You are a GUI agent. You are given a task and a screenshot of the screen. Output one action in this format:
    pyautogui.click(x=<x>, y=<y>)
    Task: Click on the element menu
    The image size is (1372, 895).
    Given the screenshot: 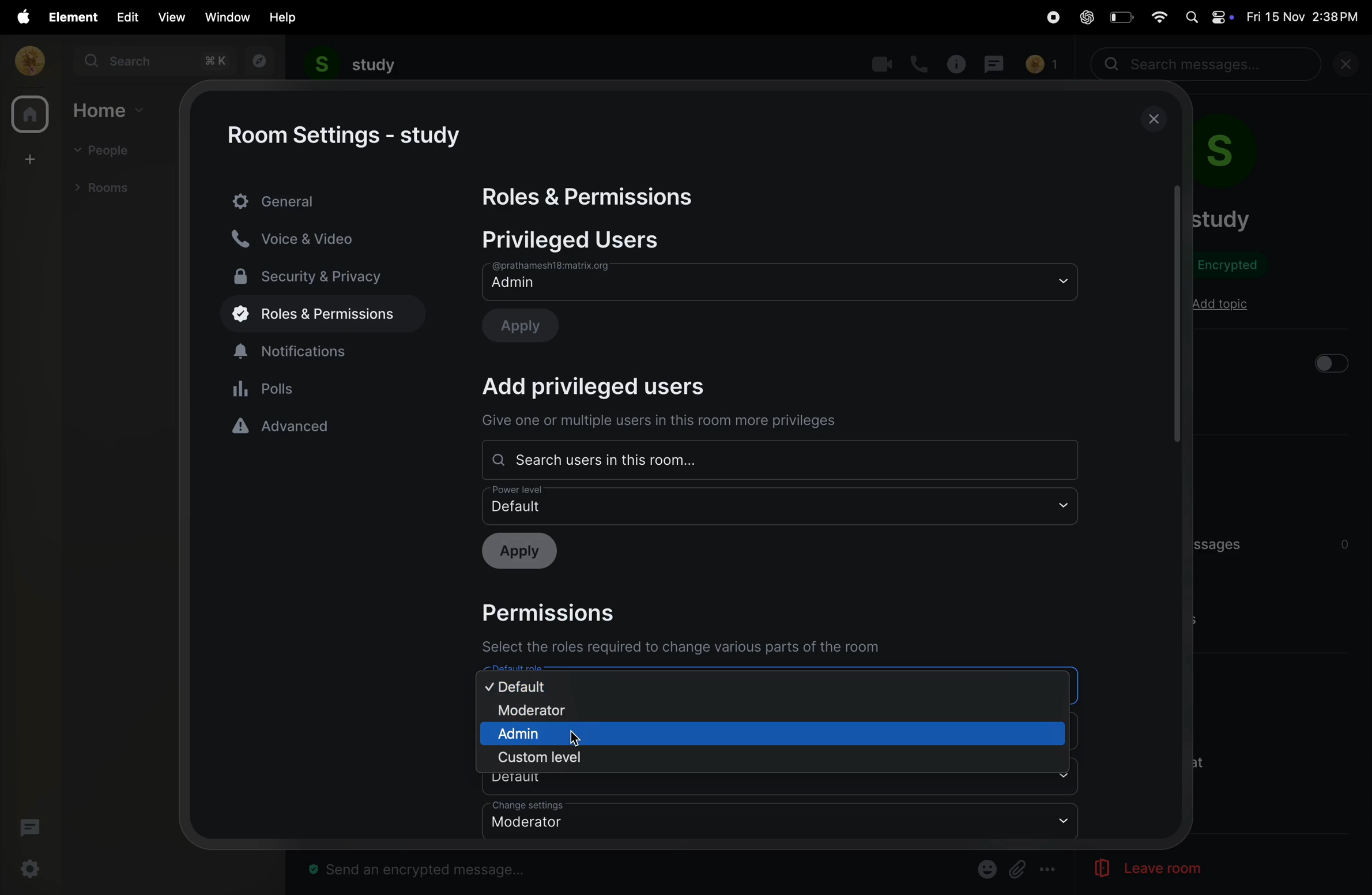 What is the action you would take?
    pyautogui.click(x=70, y=16)
    